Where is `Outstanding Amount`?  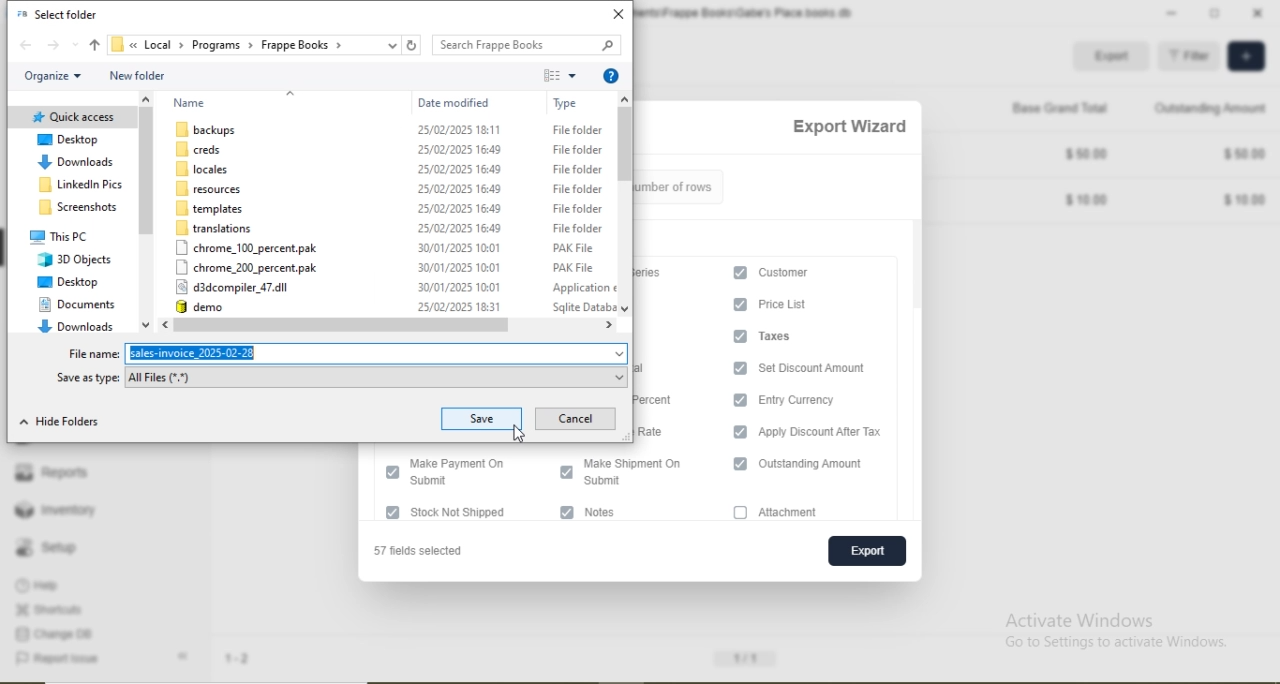 Outstanding Amount is located at coordinates (823, 465).